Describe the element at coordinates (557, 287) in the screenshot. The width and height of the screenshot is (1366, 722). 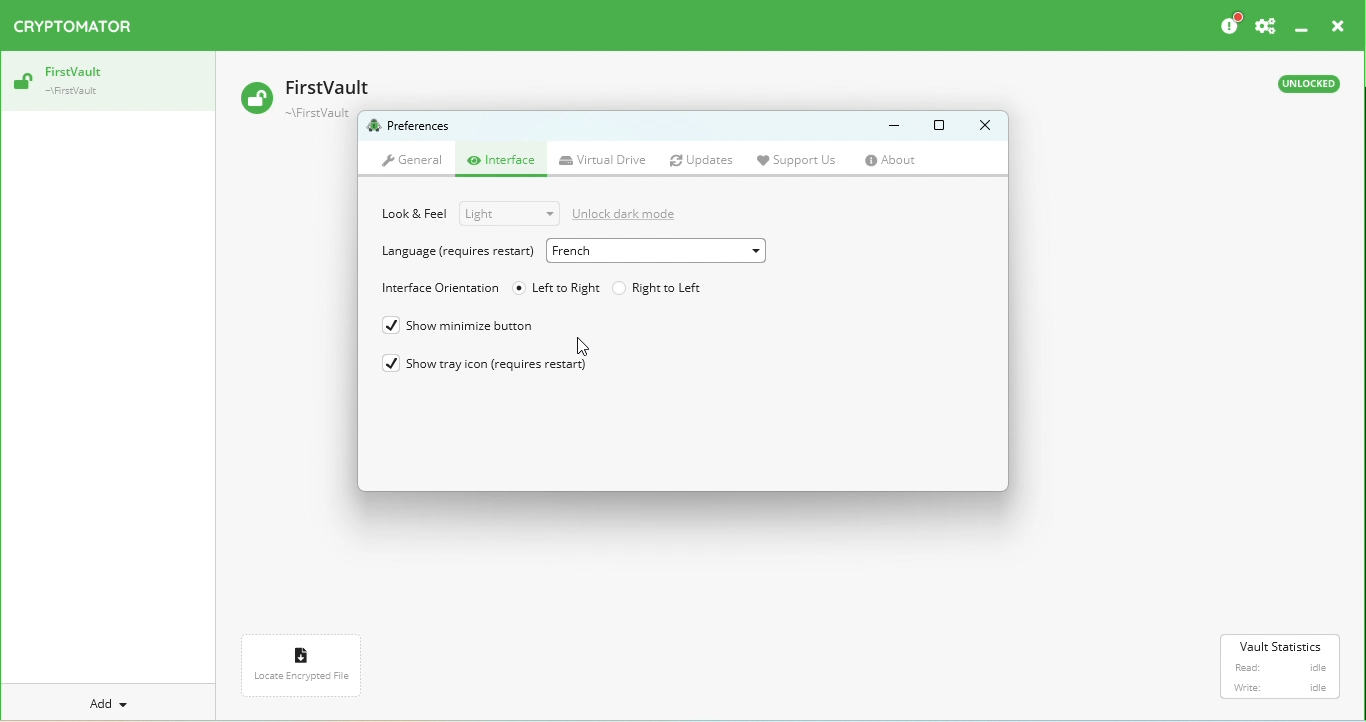
I see `Left to right` at that location.